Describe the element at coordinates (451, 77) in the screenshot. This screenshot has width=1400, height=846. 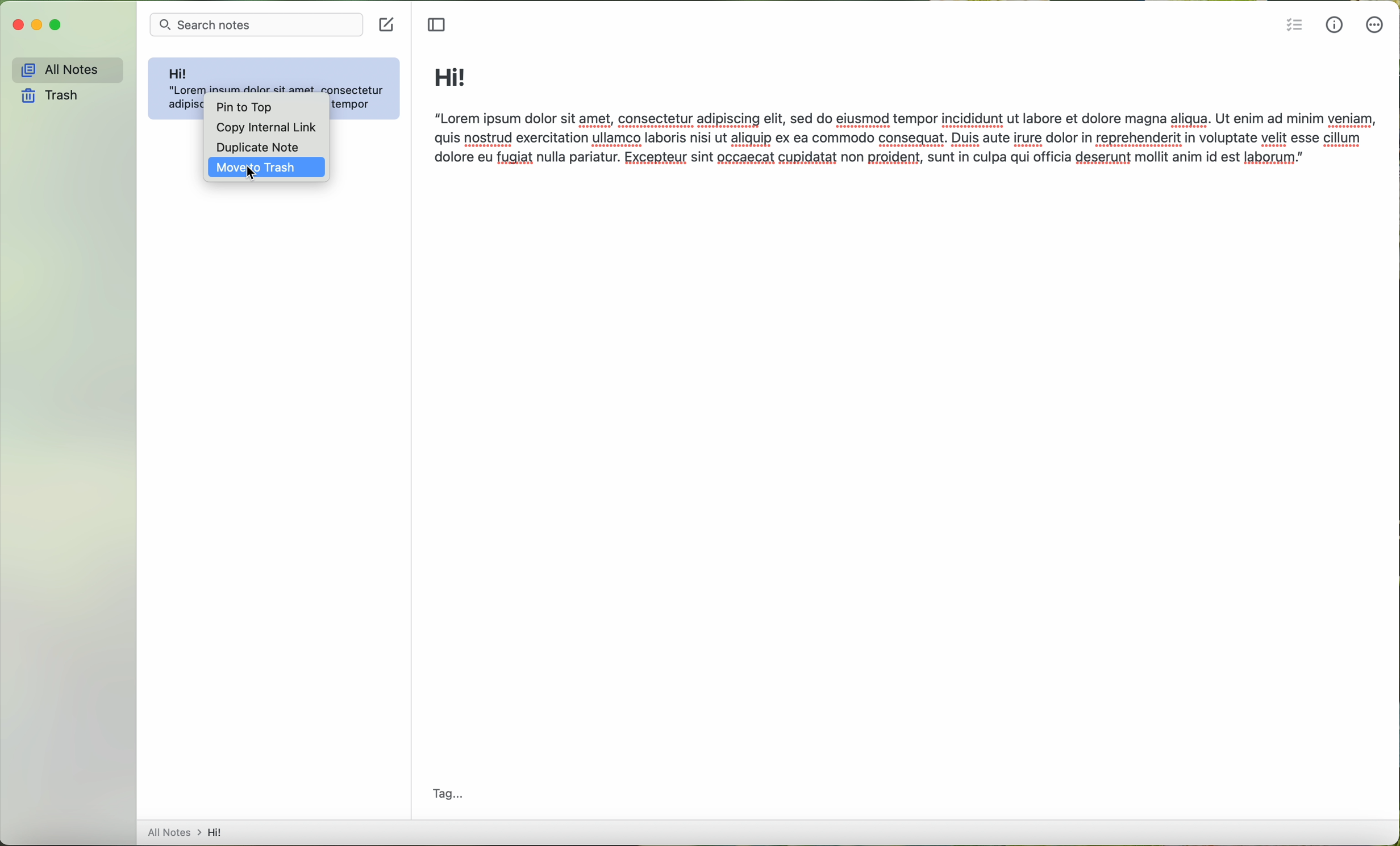
I see `Hi!` at that location.